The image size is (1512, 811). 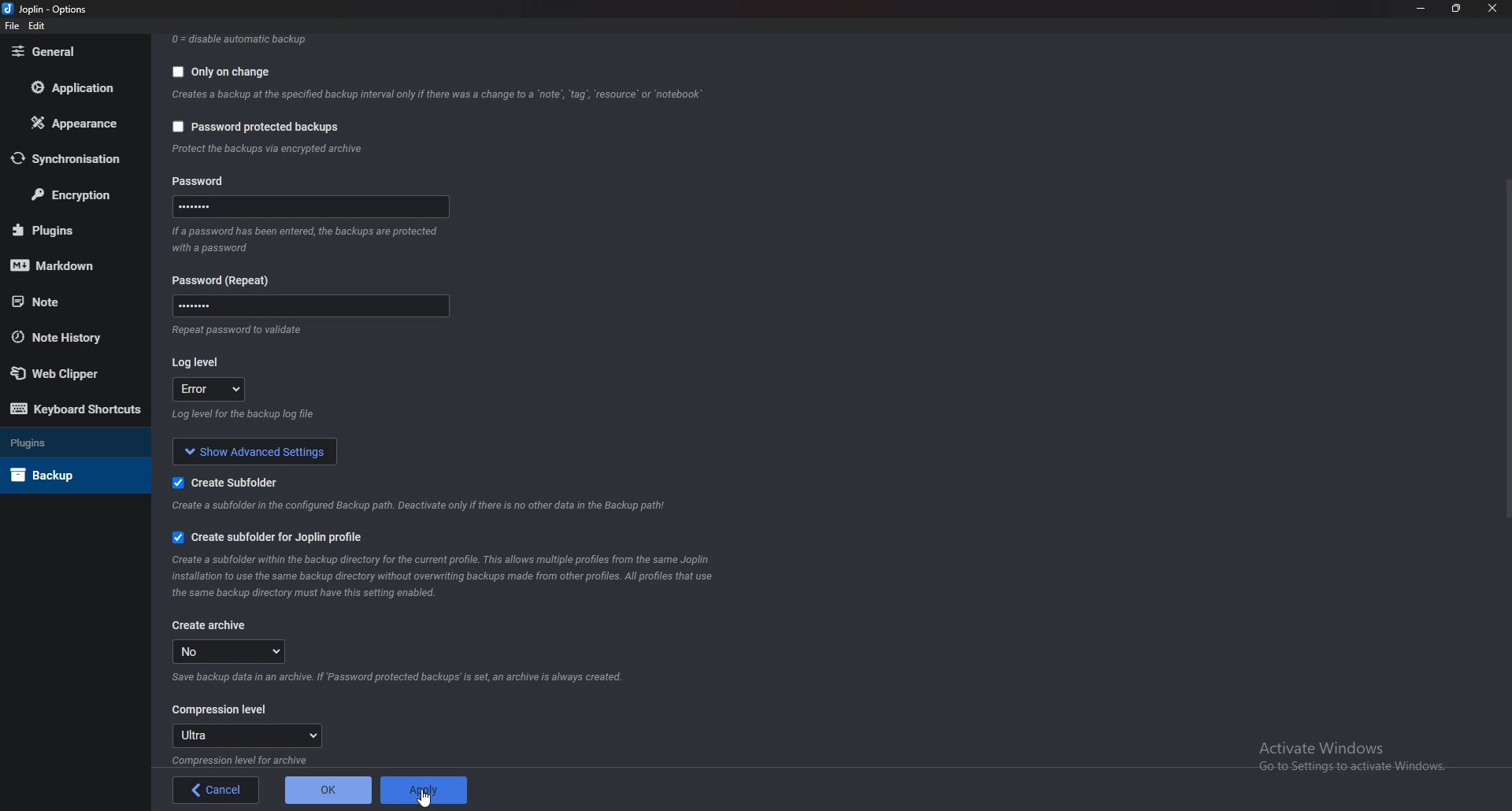 I want to click on password protected backups, so click(x=257, y=130).